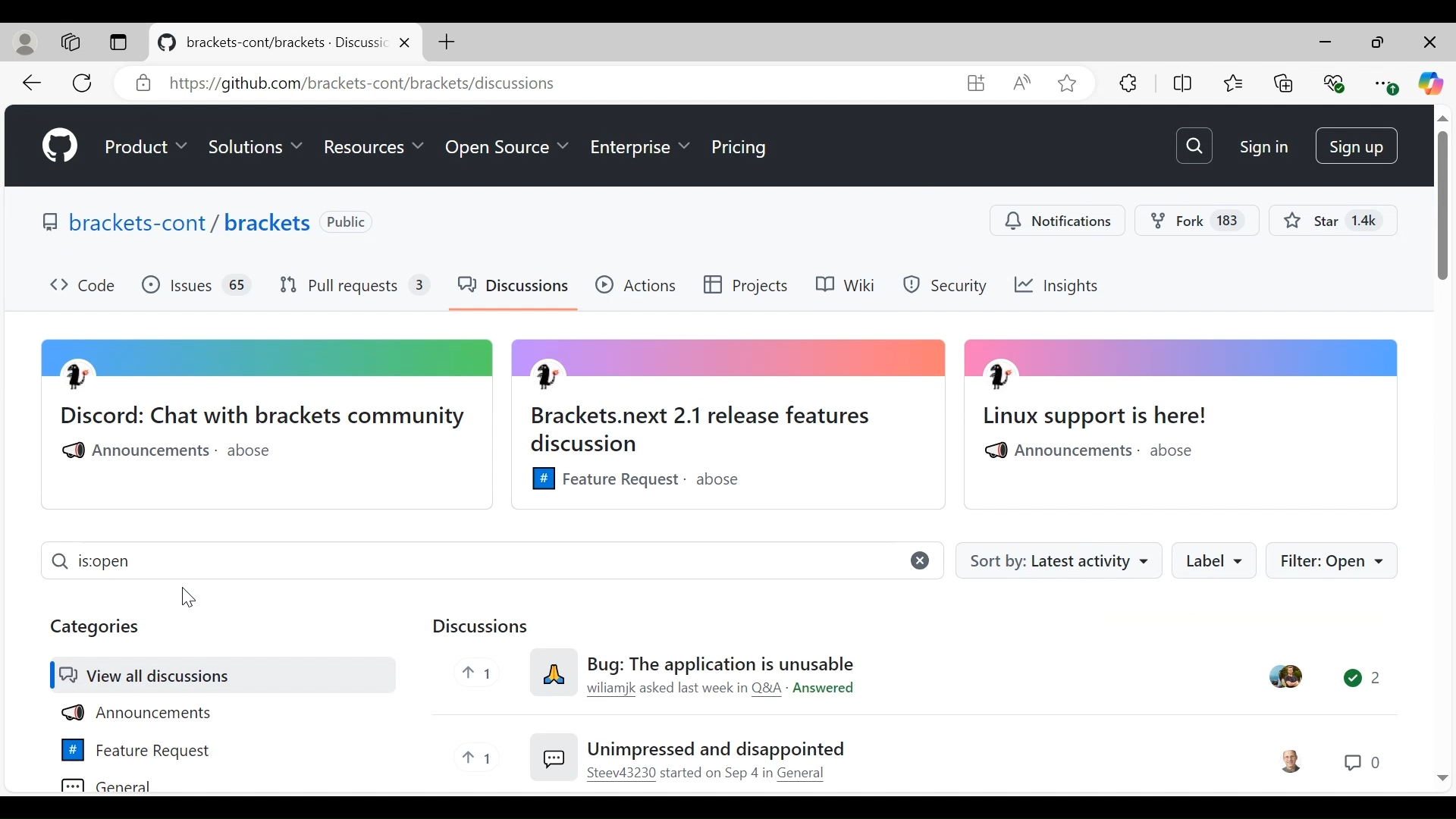 This screenshot has width=1456, height=819. What do you see at coordinates (188, 595) in the screenshot?
I see `Cursor` at bounding box center [188, 595].